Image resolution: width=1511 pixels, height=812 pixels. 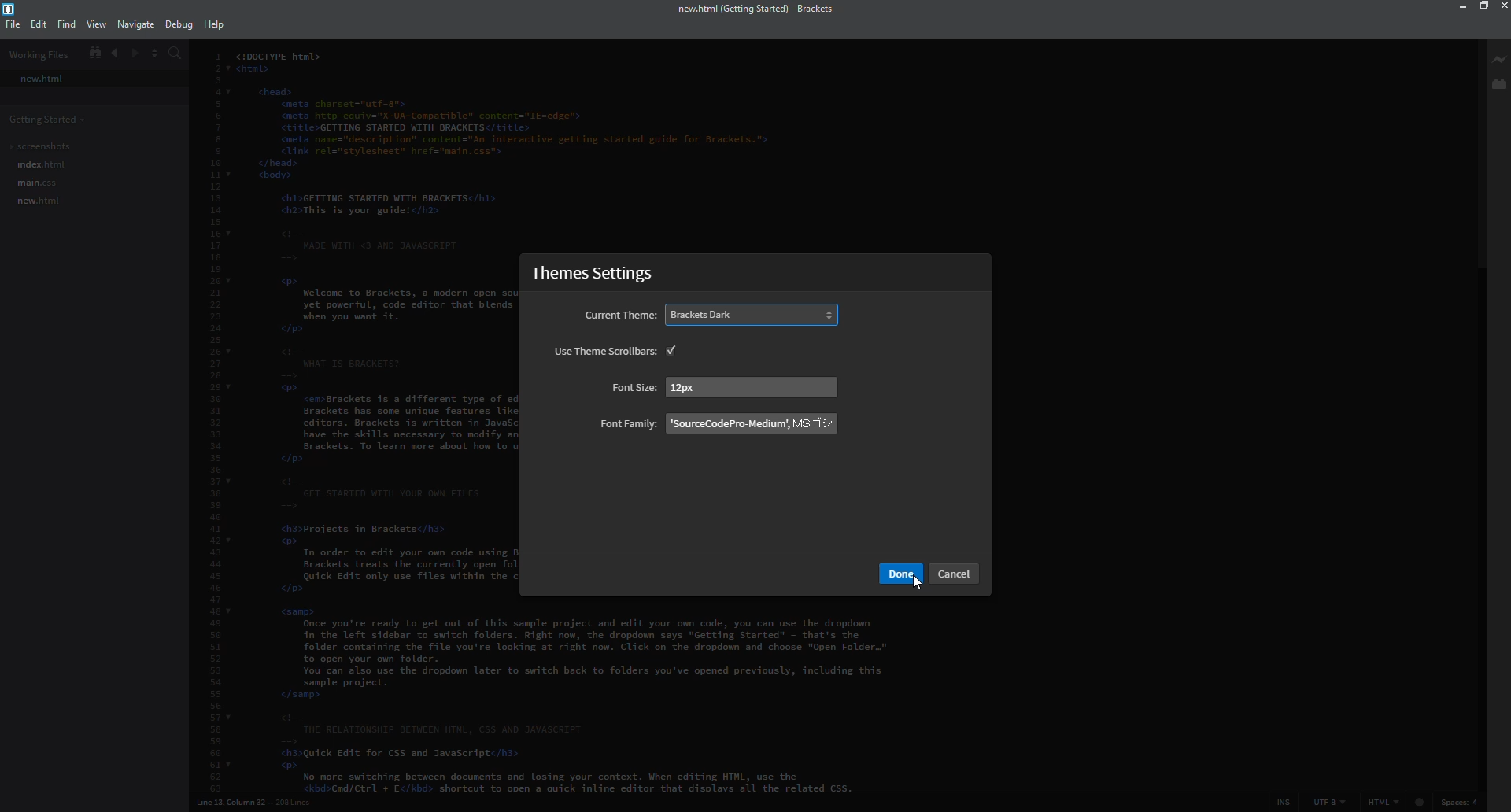 What do you see at coordinates (1501, 58) in the screenshot?
I see `live preview` at bounding box center [1501, 58].